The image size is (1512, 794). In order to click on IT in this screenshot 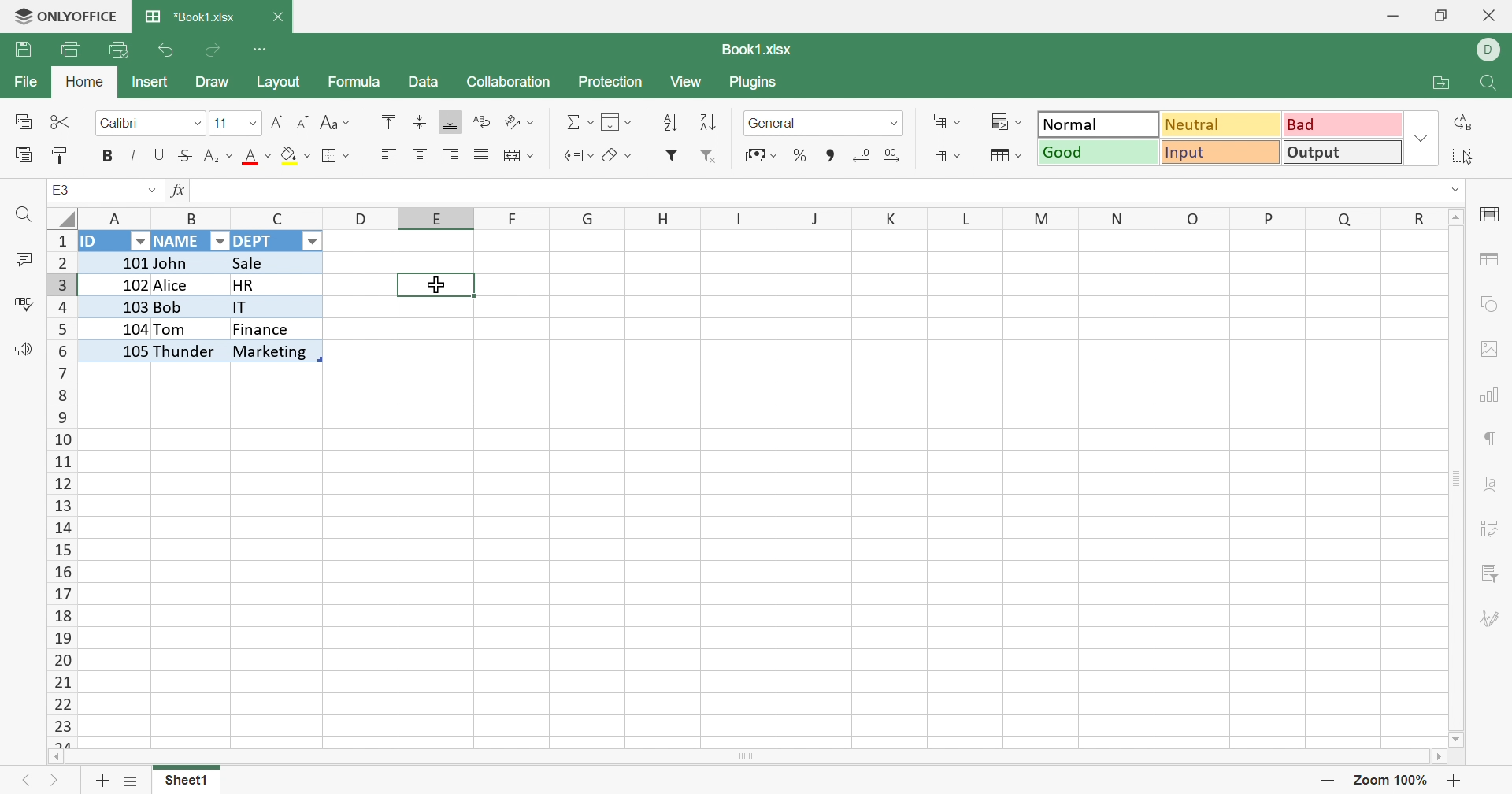, I will do `click(272, 308)`.